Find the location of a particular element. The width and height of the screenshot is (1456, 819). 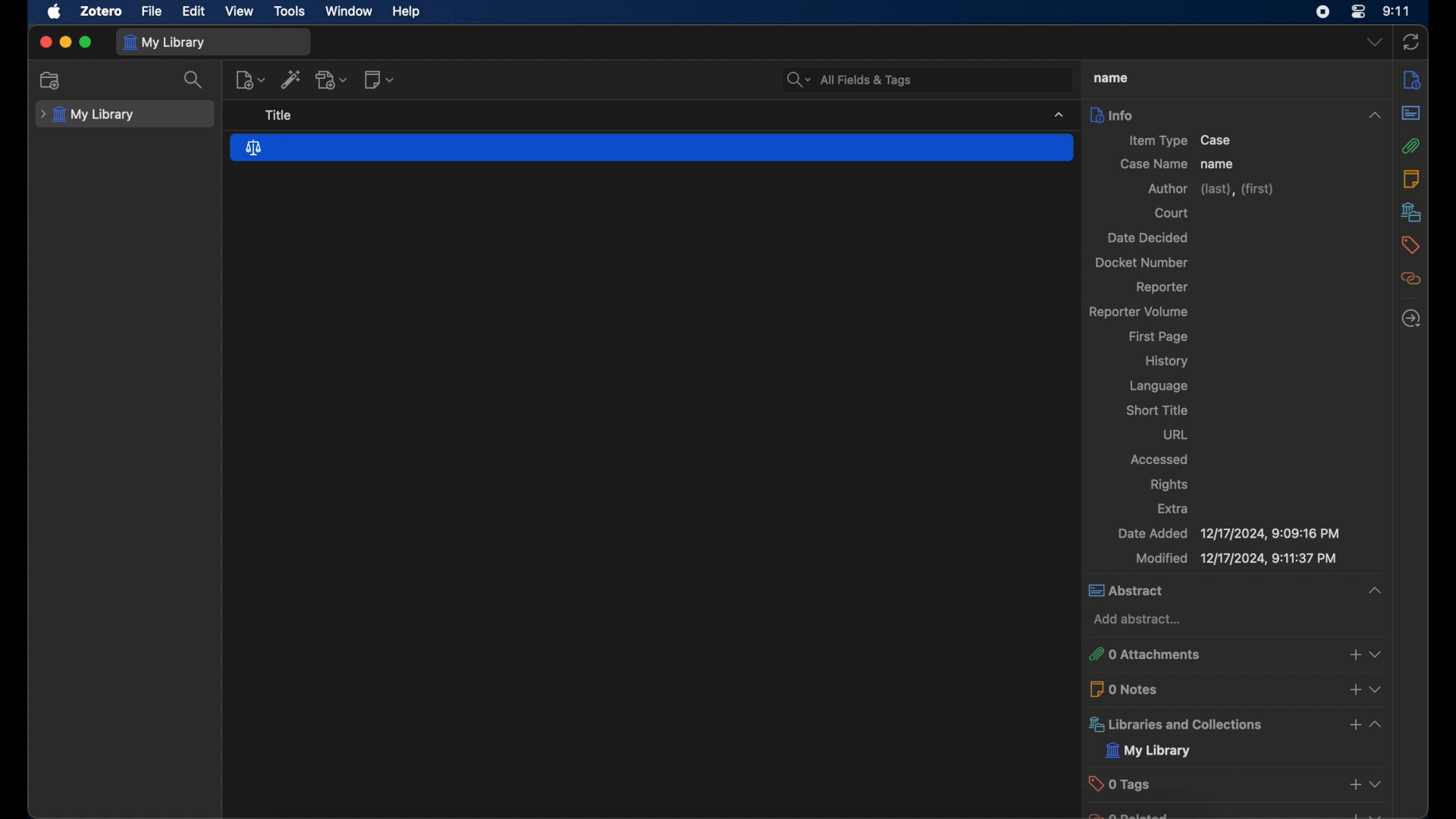

attachments is located at coordinates (1237, 654).